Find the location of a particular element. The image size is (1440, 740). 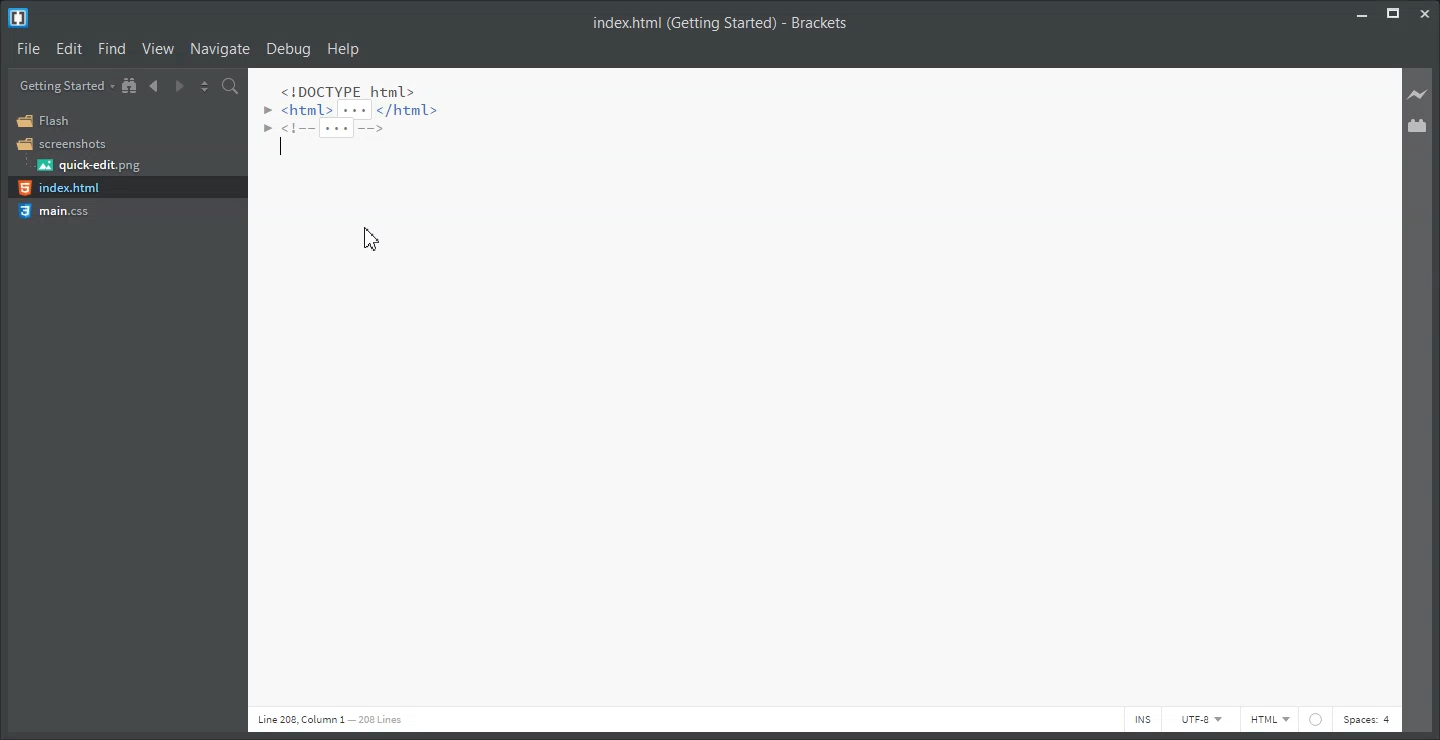

Find is located at coordinates (111, 48).